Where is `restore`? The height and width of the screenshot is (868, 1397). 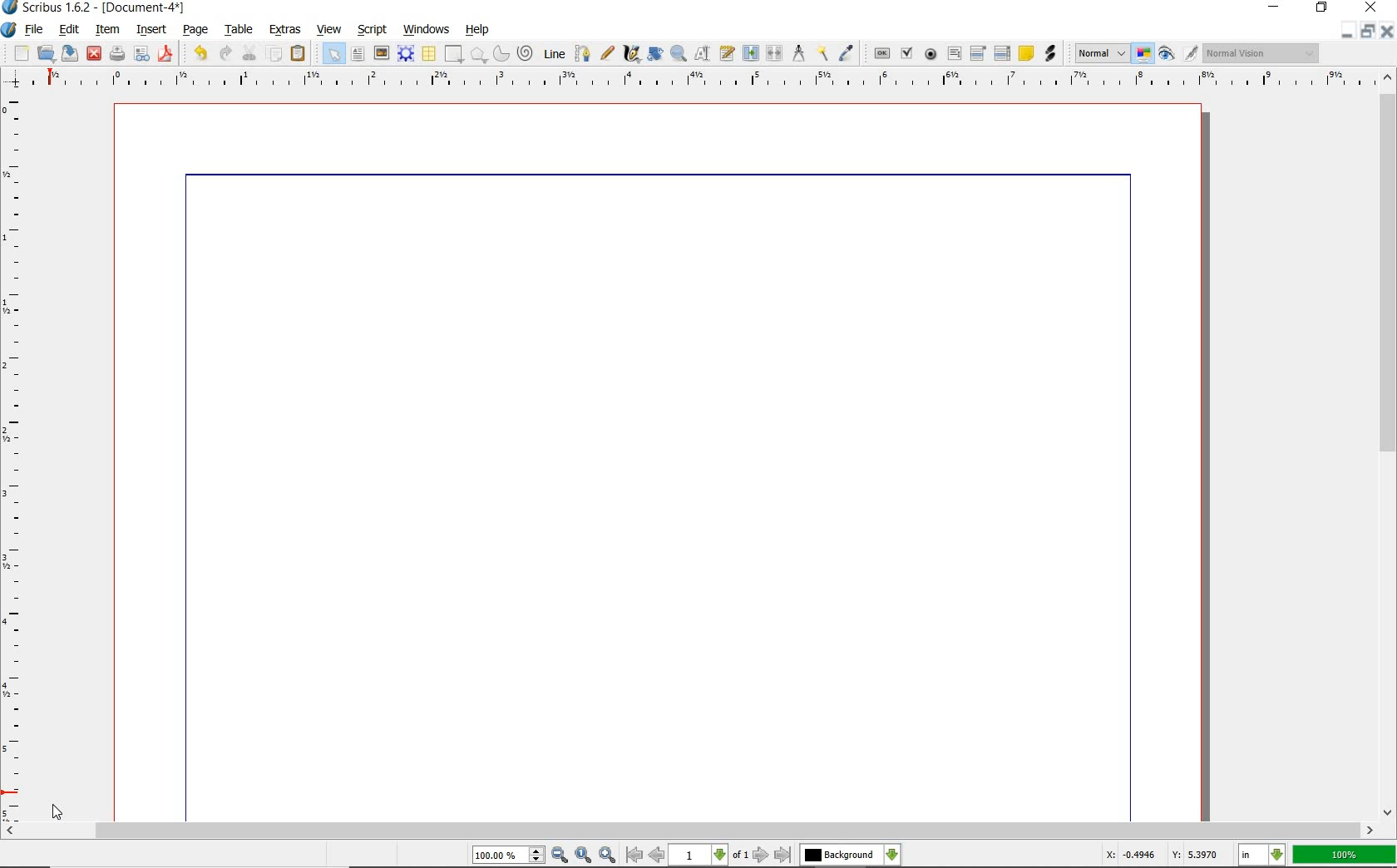 restore is located at coordinates (1323, 9).